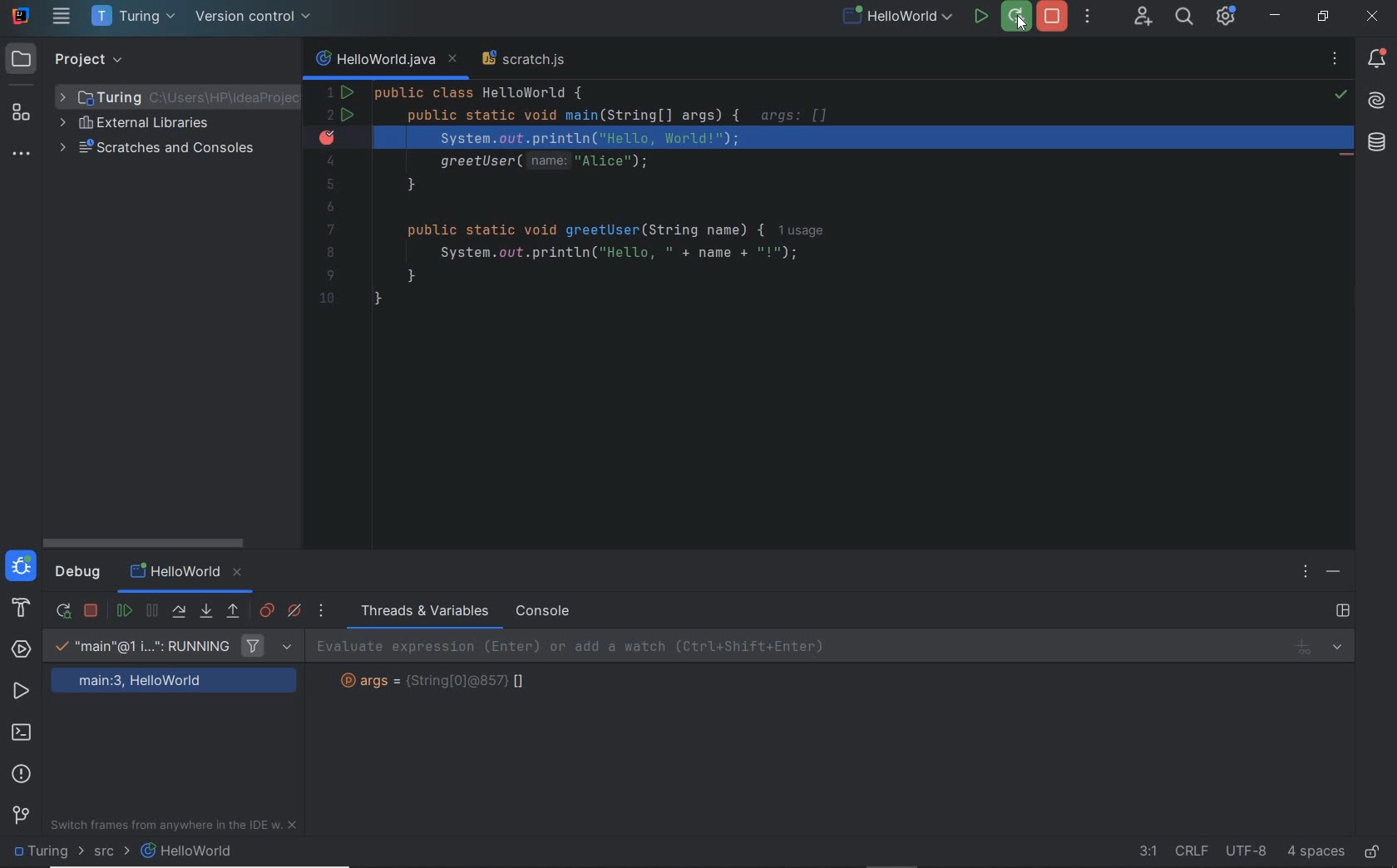  I want to click on no problems highlighted, so click(1343, 95).